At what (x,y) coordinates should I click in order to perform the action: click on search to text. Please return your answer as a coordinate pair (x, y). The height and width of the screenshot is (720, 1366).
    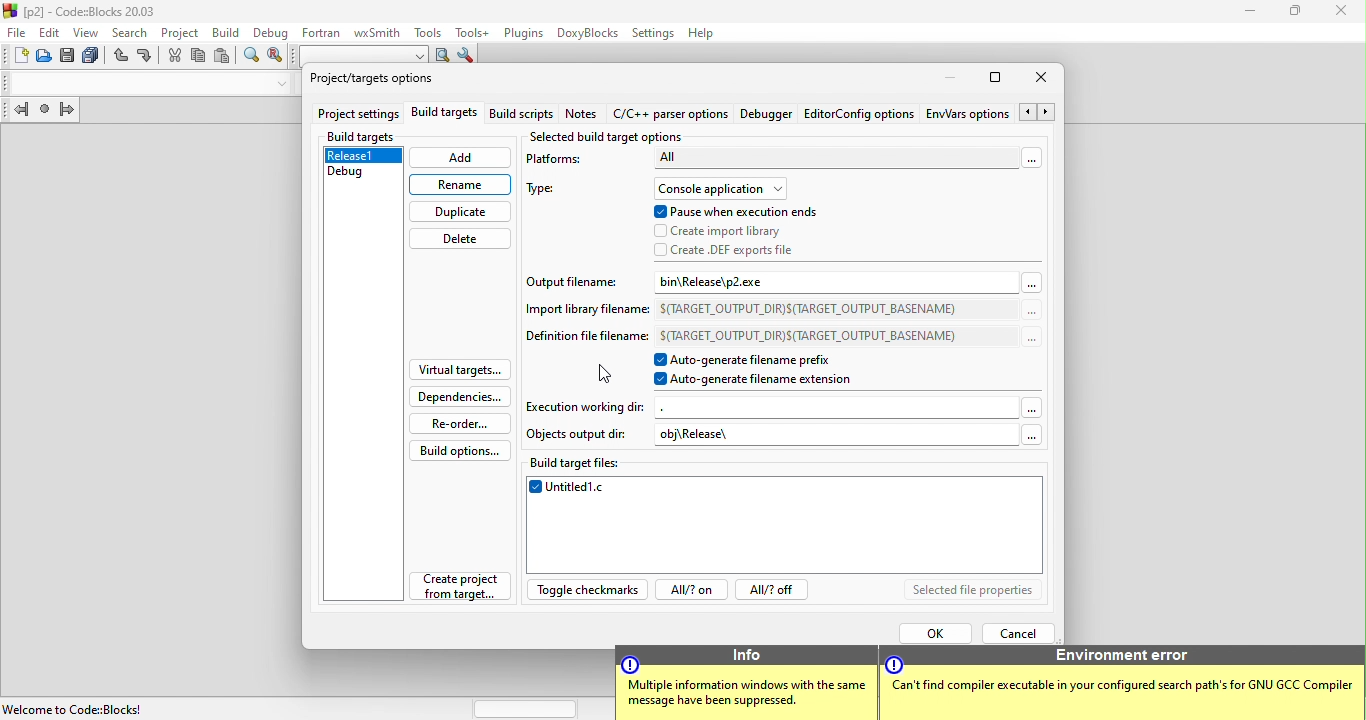
    Looking at the image, I should click on (361, 54).